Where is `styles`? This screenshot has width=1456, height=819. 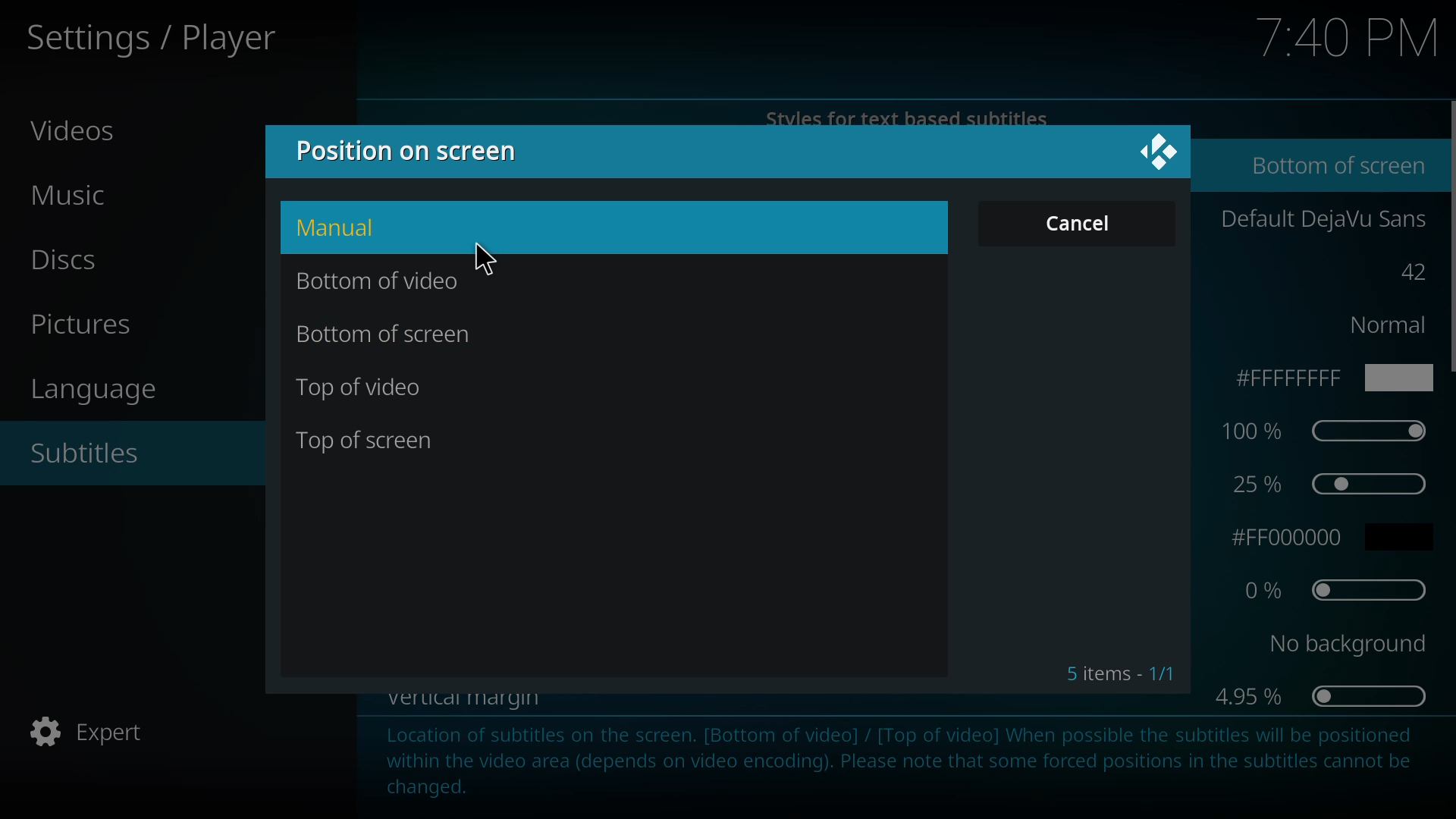 styles is located at coordinates (902, 119).